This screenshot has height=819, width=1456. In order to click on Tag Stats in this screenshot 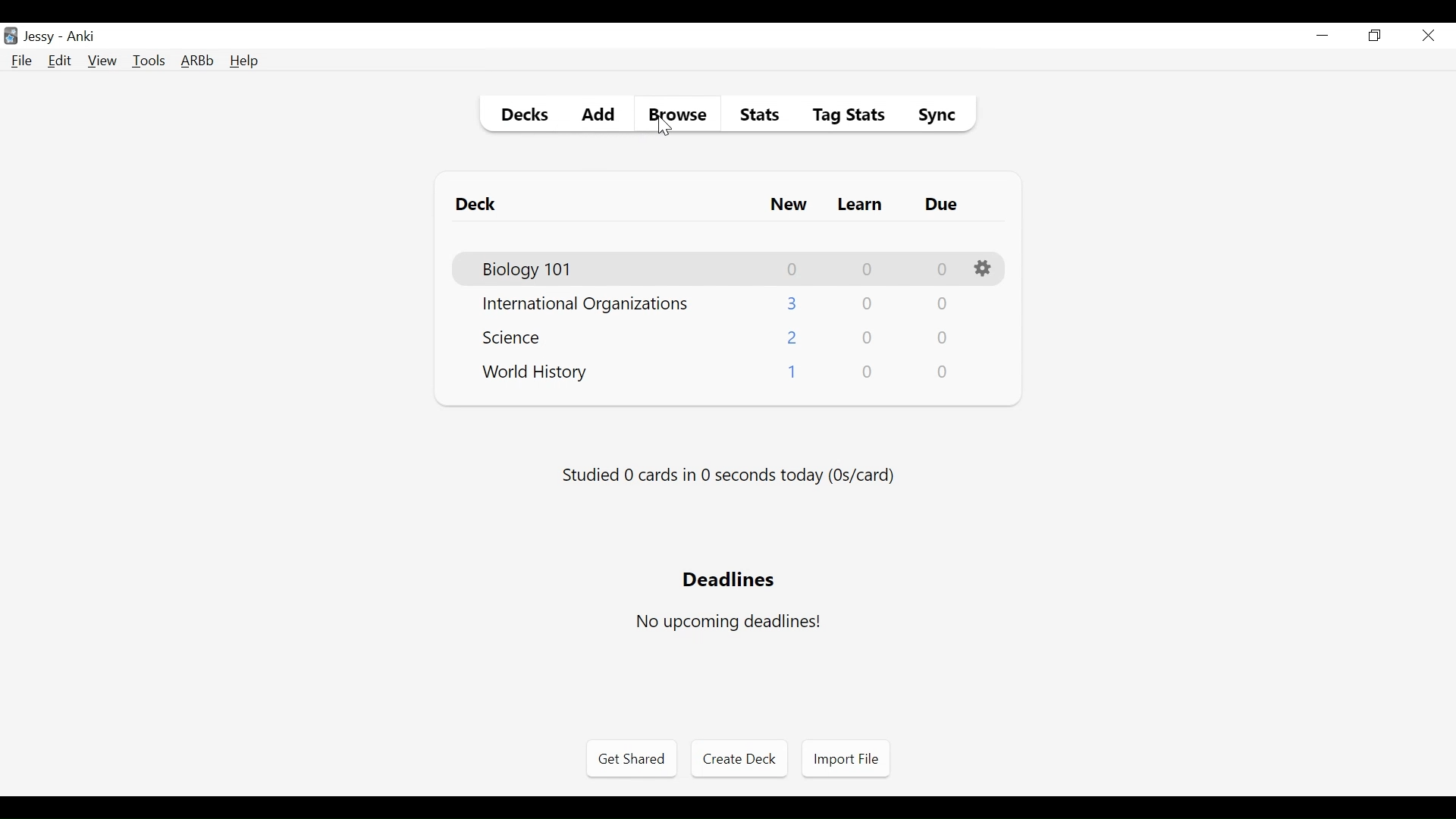, I will do `click(840, 117)`.